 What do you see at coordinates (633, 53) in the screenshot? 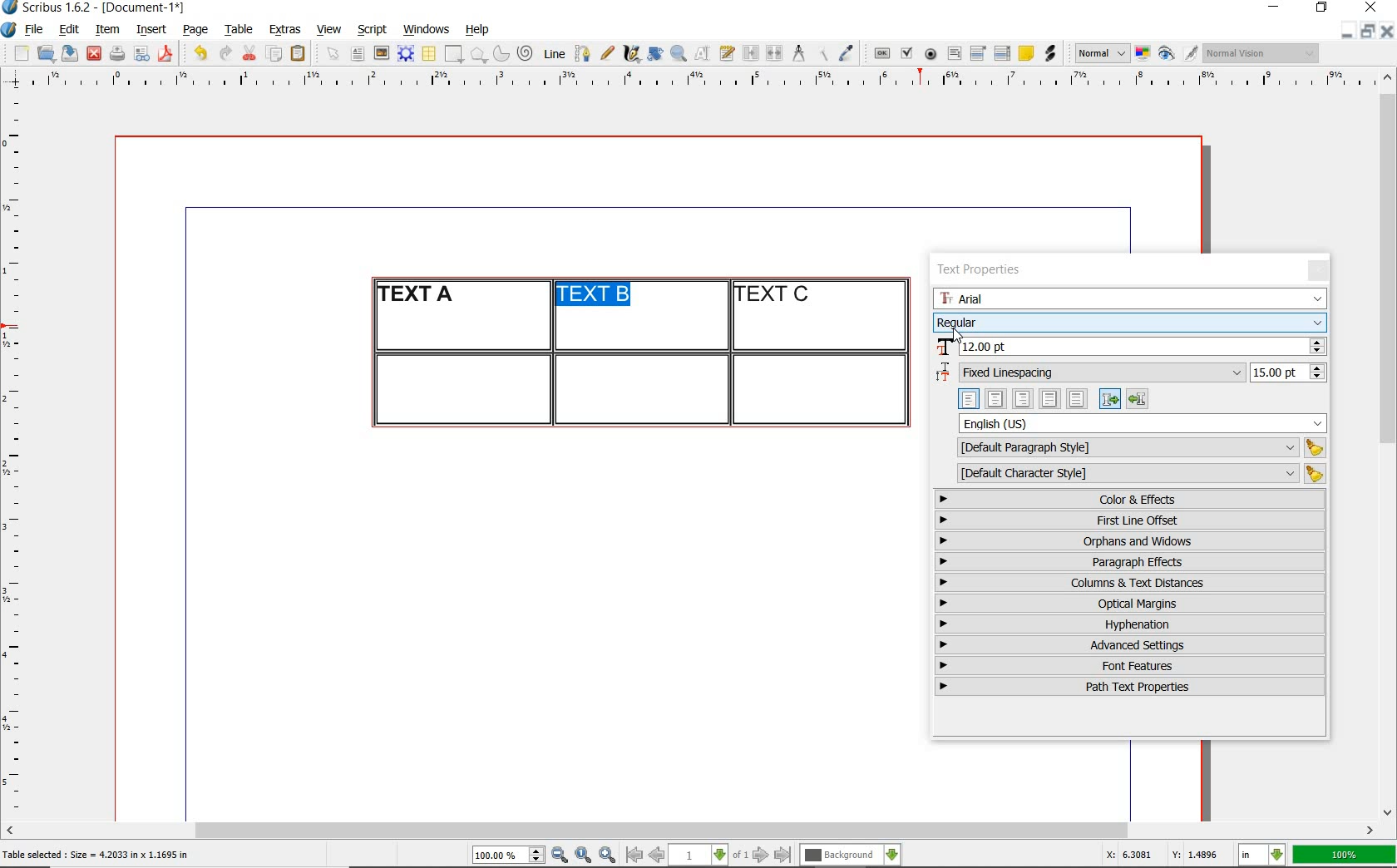
I see `calligraphic line` at bounding box center [633, 53].